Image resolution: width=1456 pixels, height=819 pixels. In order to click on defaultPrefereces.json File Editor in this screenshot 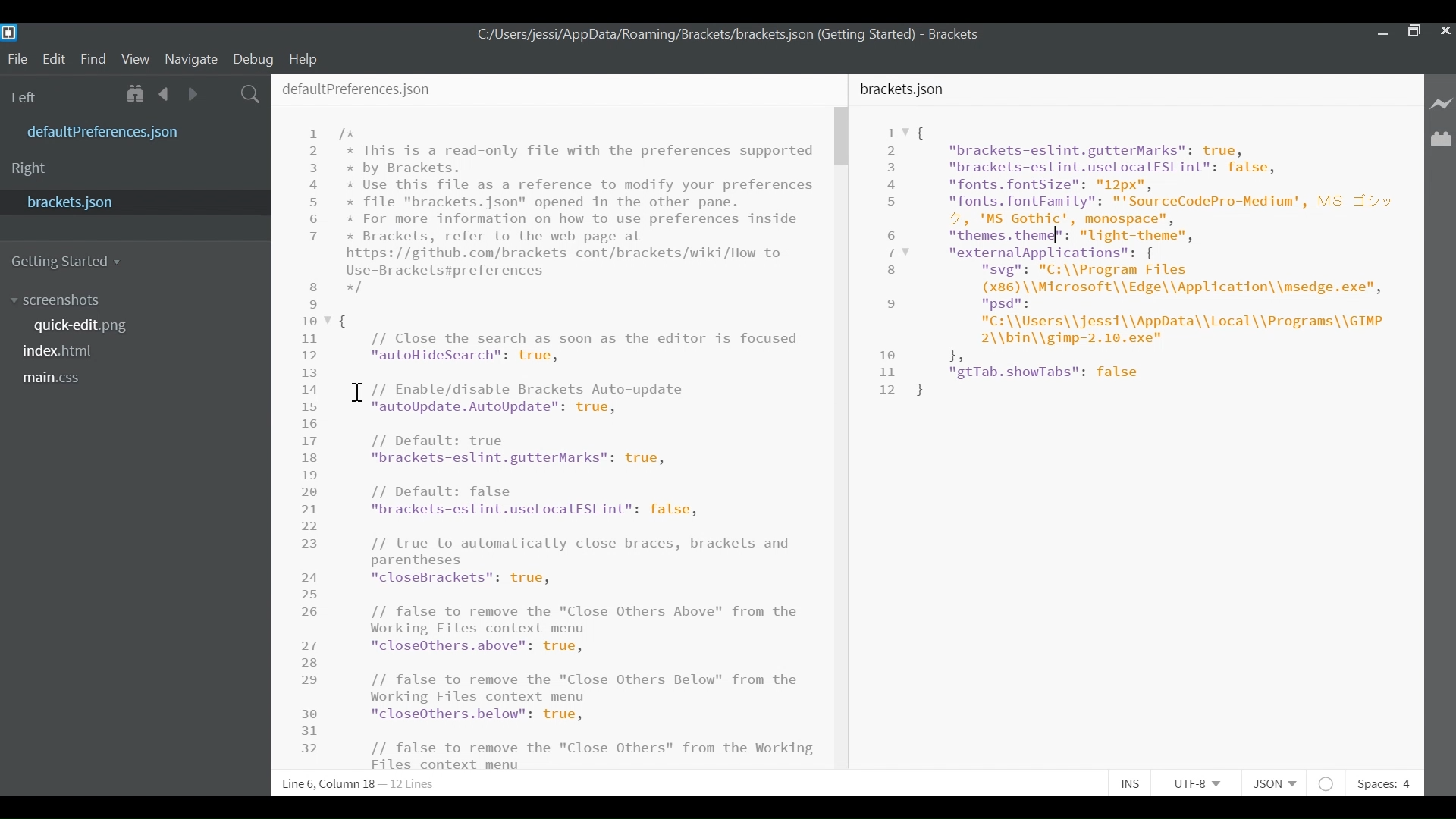, I will do `click(549, 421)`.